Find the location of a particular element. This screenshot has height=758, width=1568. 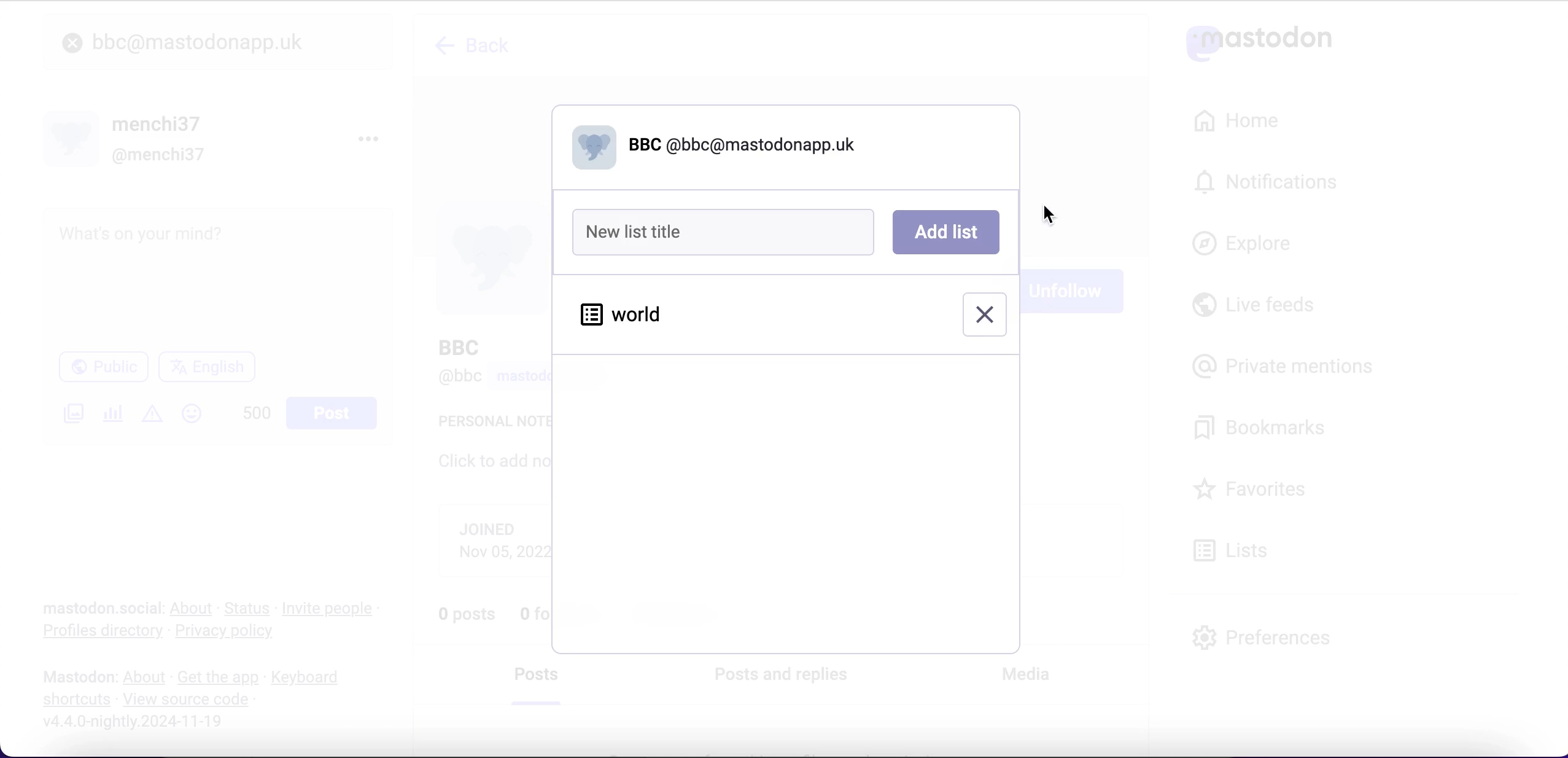

add an image is located at coordinates (72, 413).